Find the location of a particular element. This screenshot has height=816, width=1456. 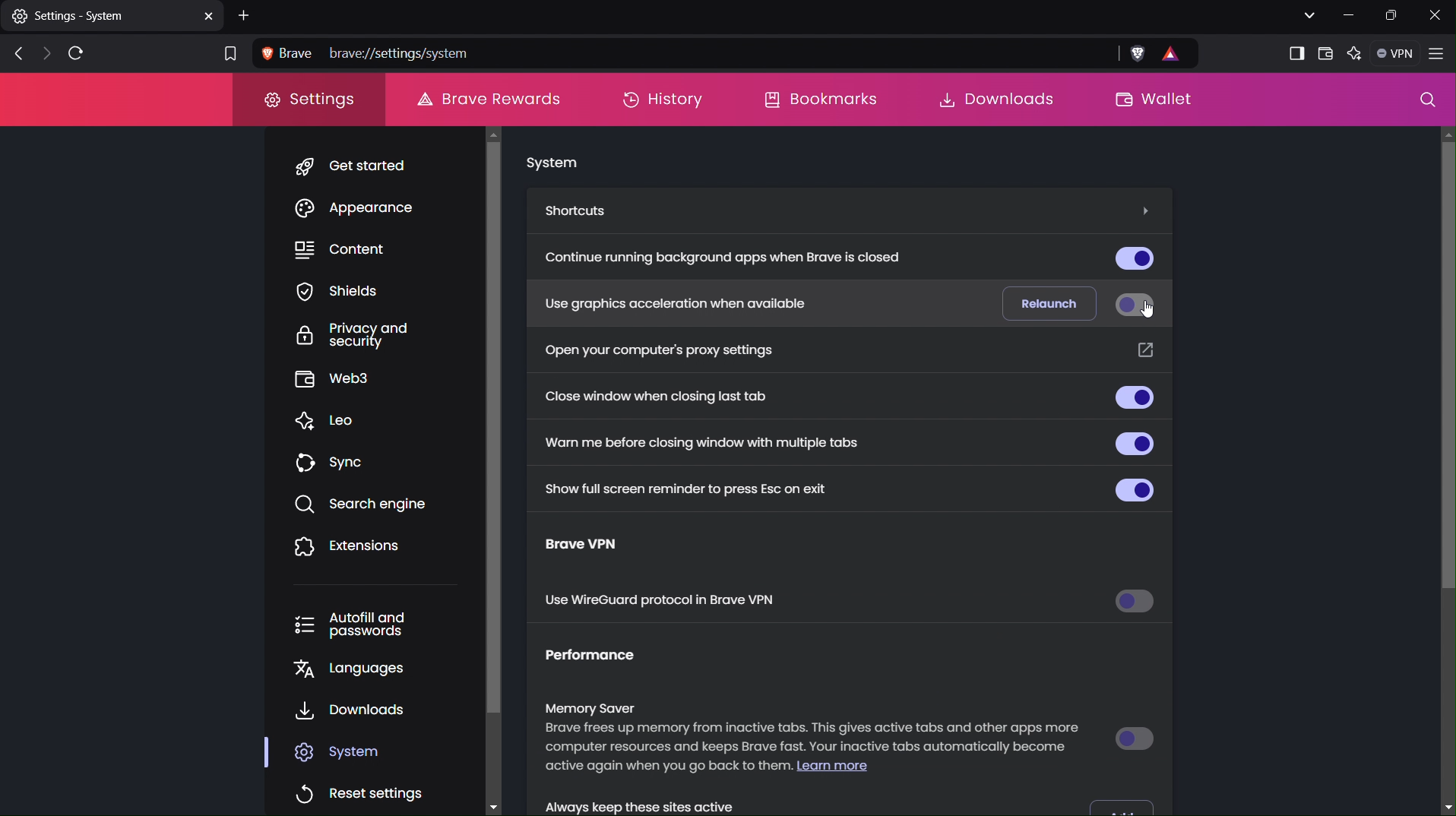

Settings is located at coordinates (311, 104).